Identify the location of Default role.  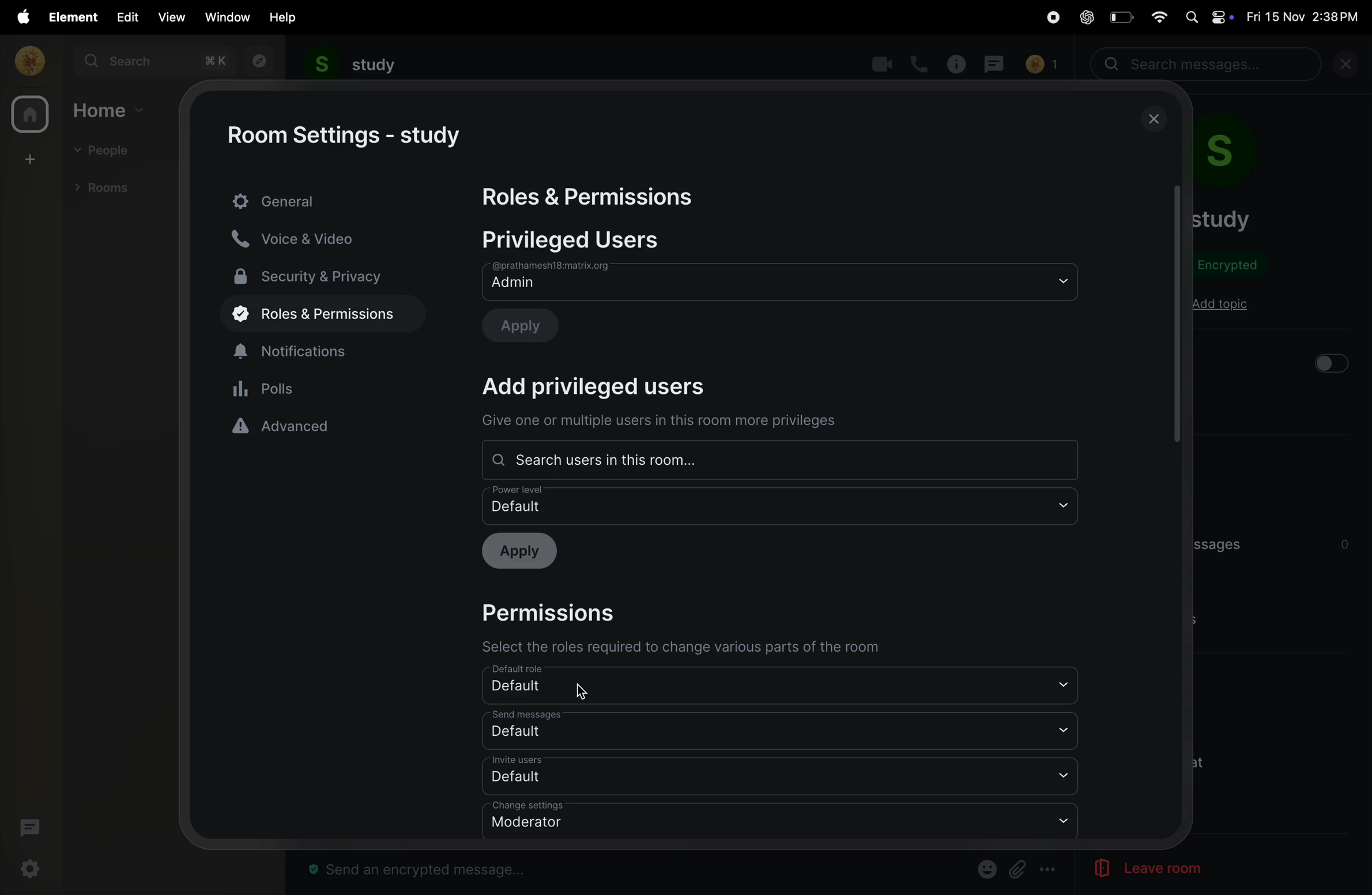
(775, 685).